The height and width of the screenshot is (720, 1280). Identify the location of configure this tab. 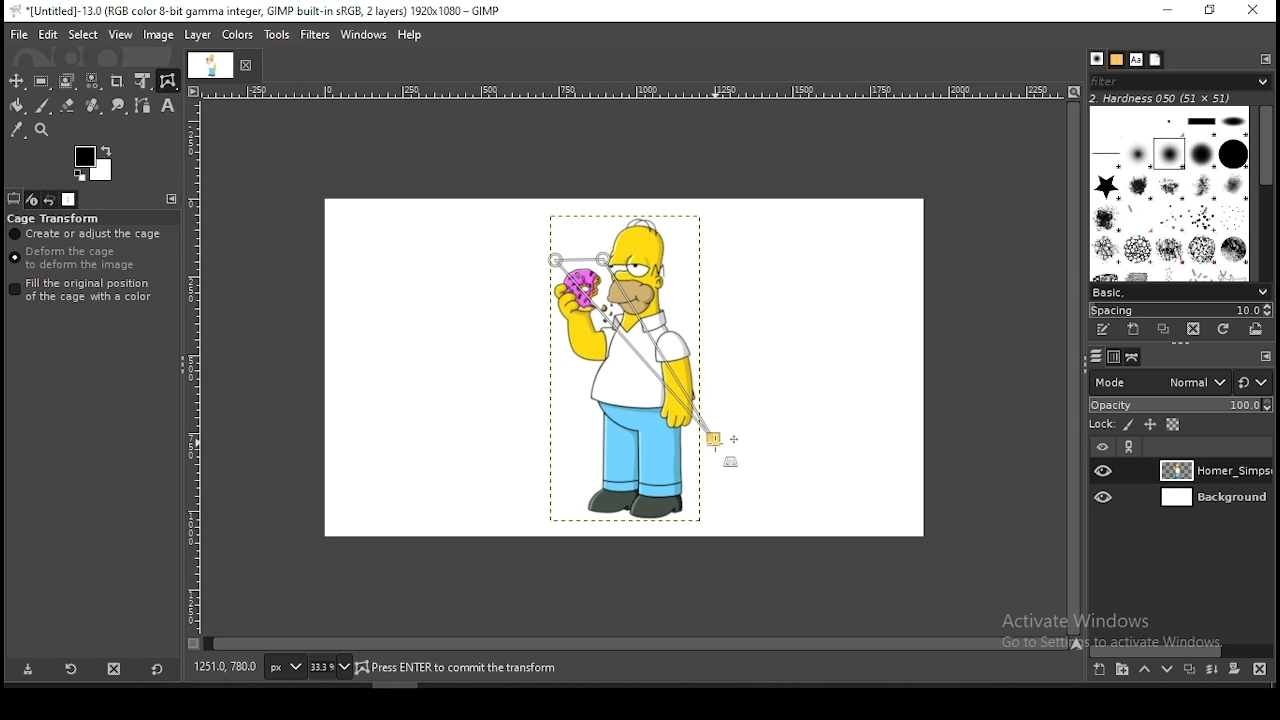
(1266, 358).